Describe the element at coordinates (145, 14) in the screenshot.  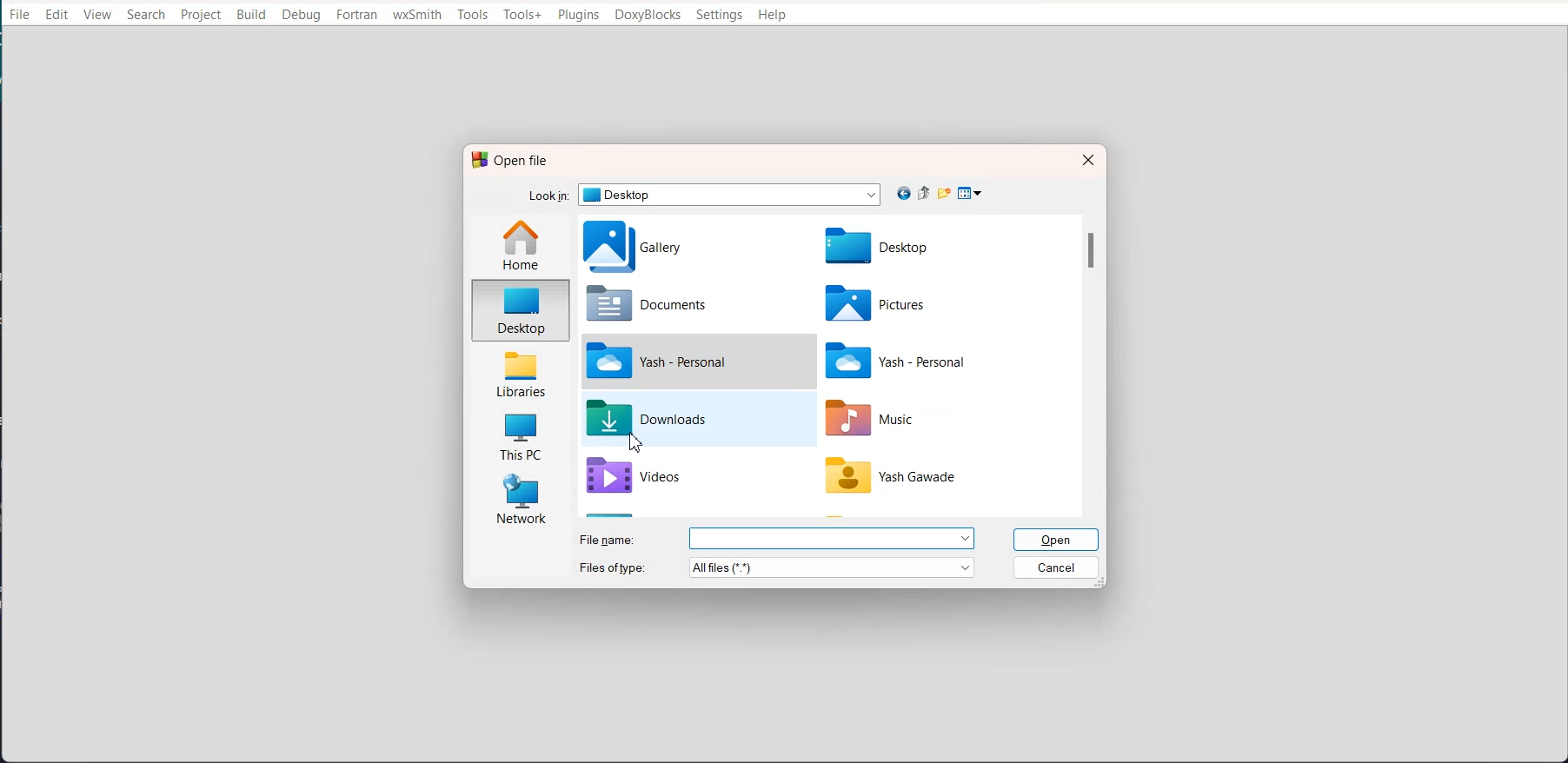
I see `Search` at that location.